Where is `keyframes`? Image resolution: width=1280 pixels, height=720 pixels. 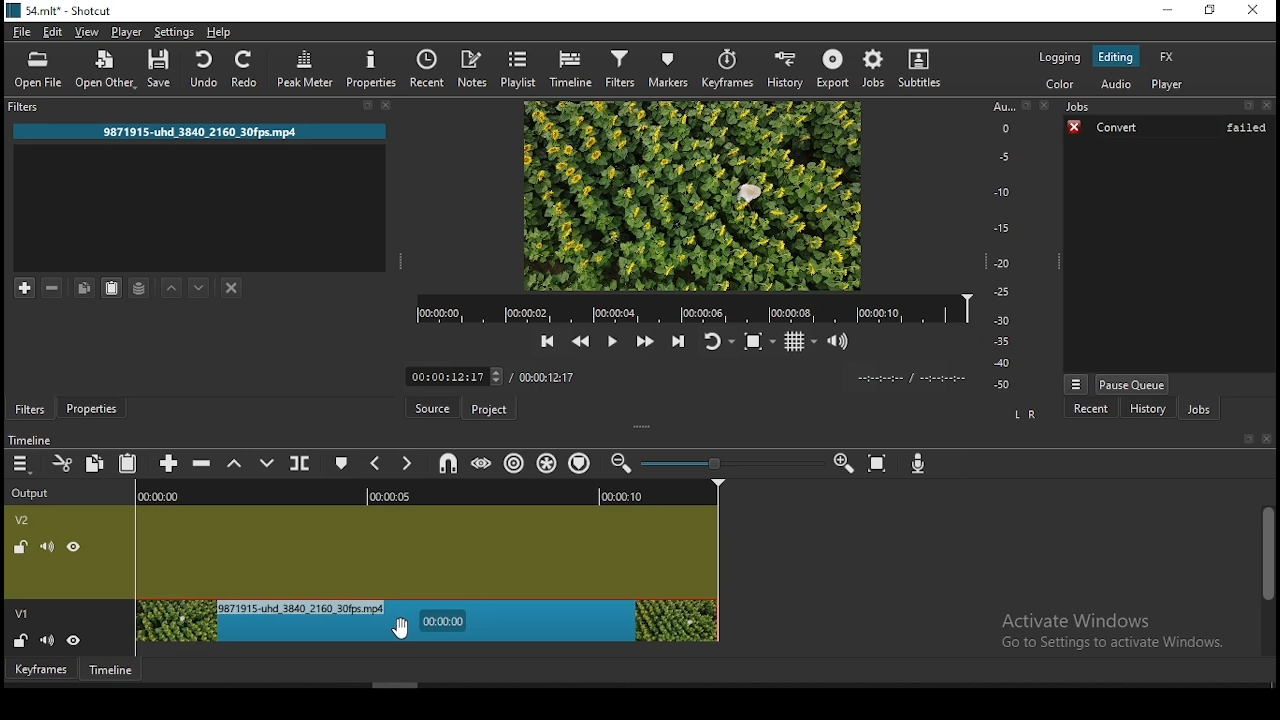 keyframes is located at coordinates (730, 68).